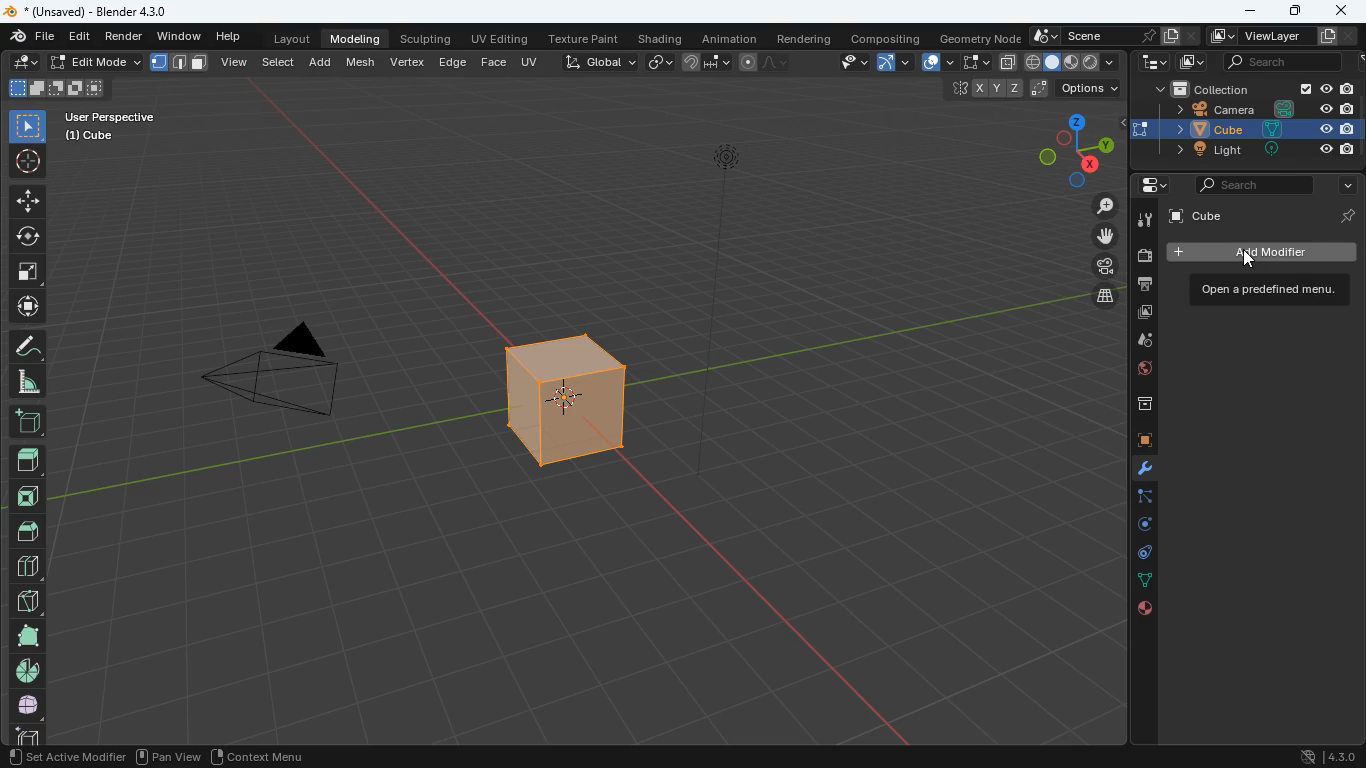  What do you see at coordinates (1281, 60) in the screenshot?
I see `scene` at bounding box center [1281, 60].